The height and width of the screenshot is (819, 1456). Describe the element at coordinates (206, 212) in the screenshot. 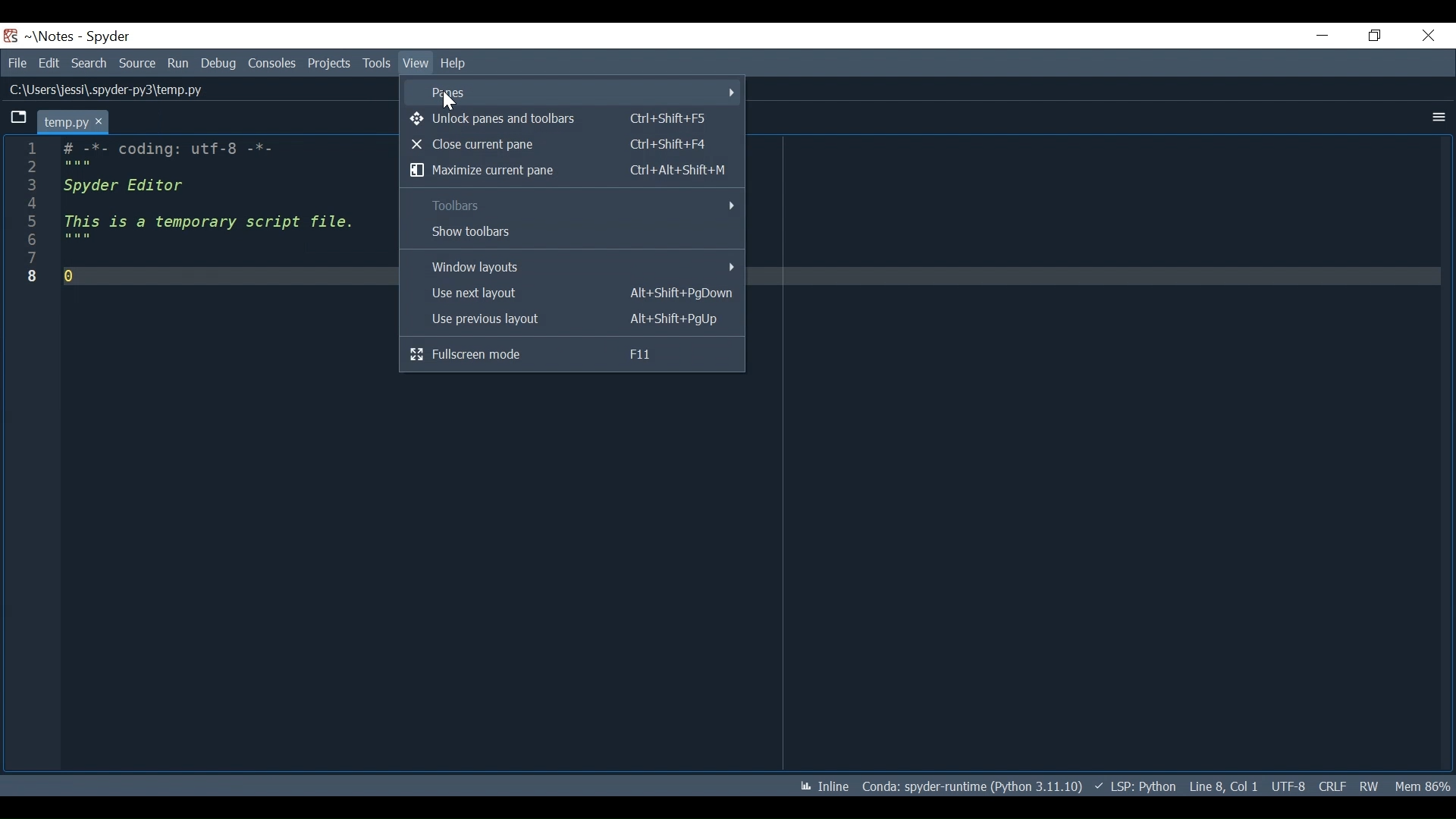

I see `# -*- coding: utf-8 -*-

Spyder Editor

This is a temporary script file.
[]` at that location.